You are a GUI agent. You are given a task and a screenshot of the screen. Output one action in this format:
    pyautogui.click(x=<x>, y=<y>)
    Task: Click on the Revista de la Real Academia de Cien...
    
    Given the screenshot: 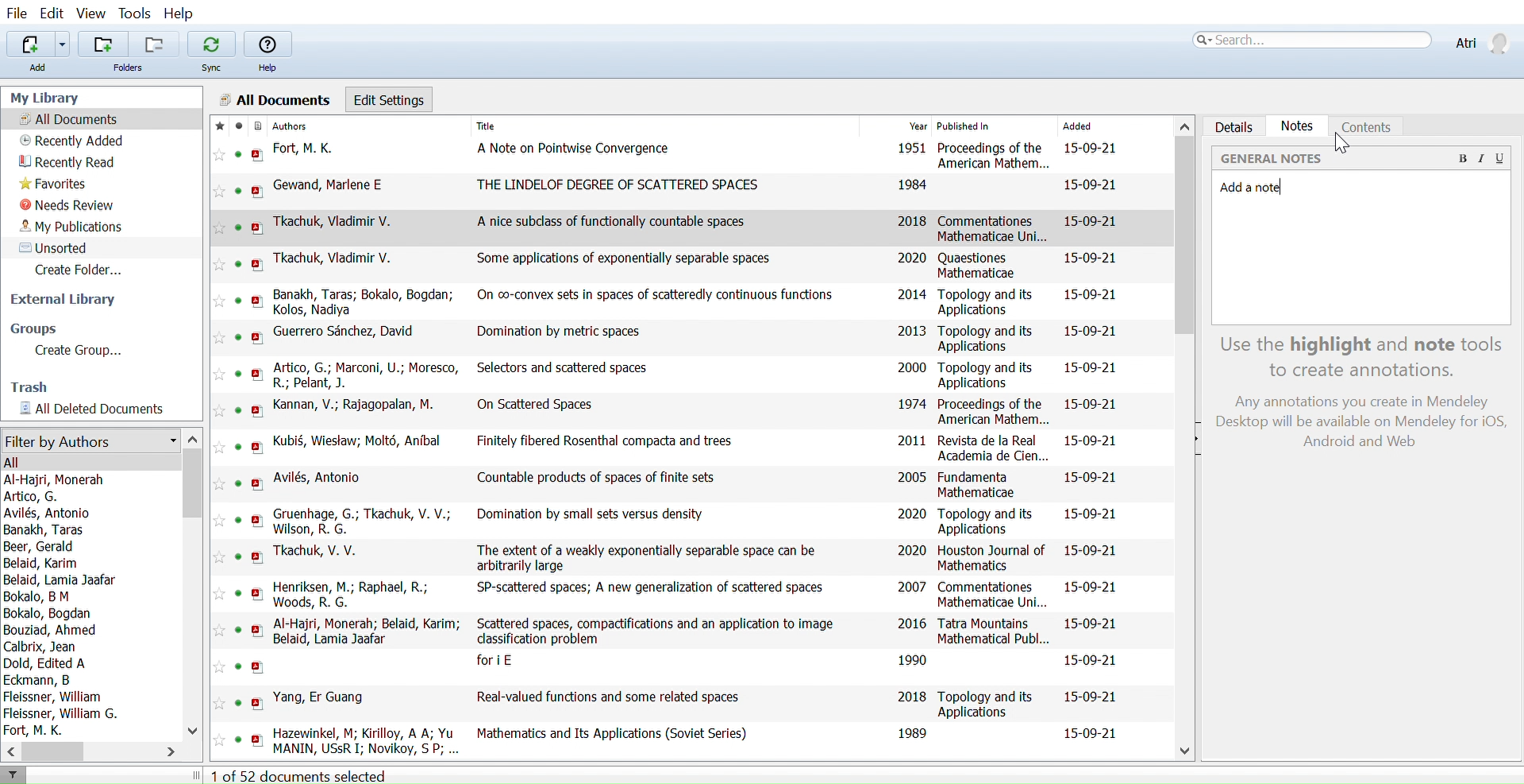 What is the action you would take?
    pyautogui.click(x=995, y=448)
    